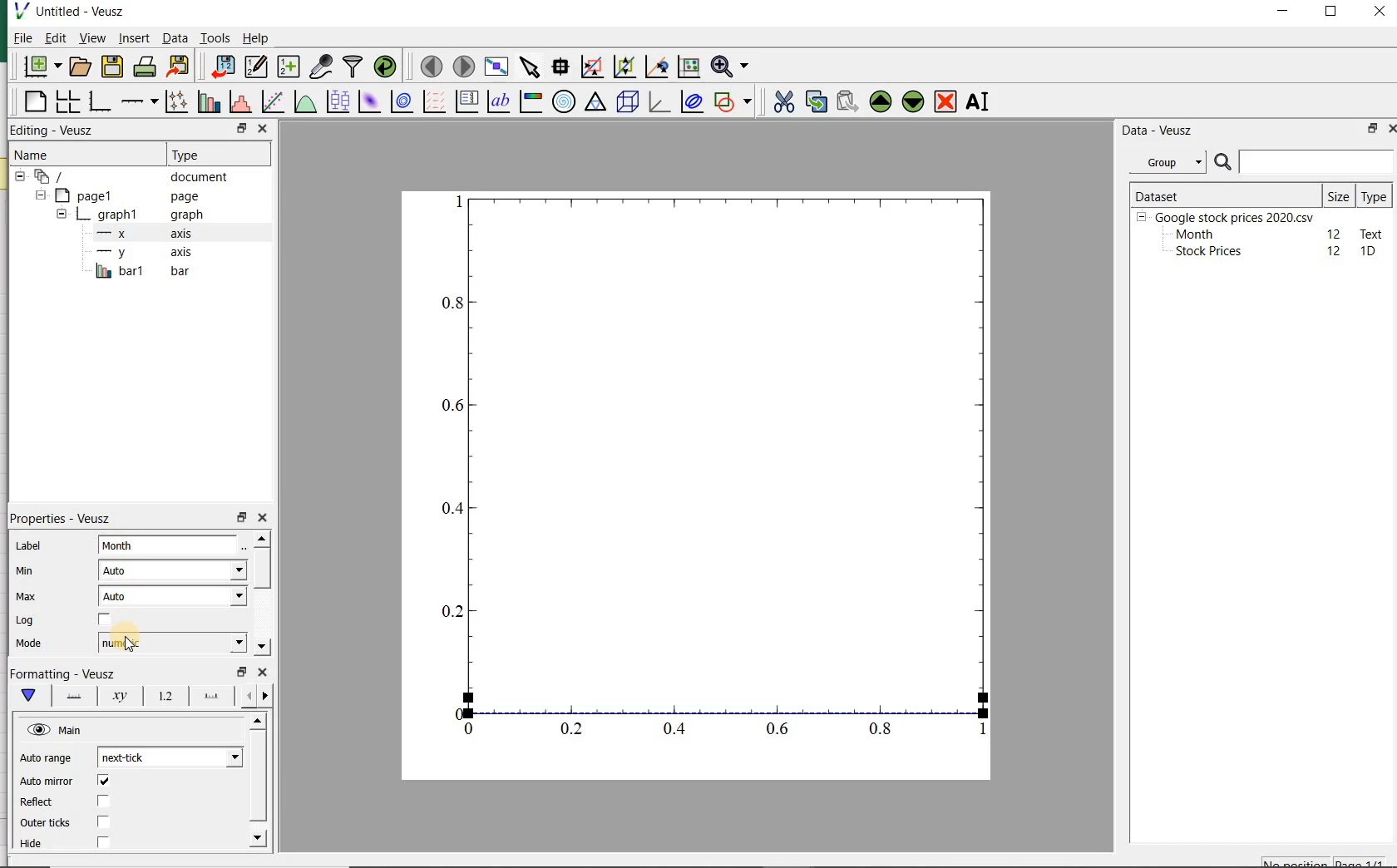  Describe the element at coordinates (256, 783) in the screenshot. I see `scrollbar` at that location.